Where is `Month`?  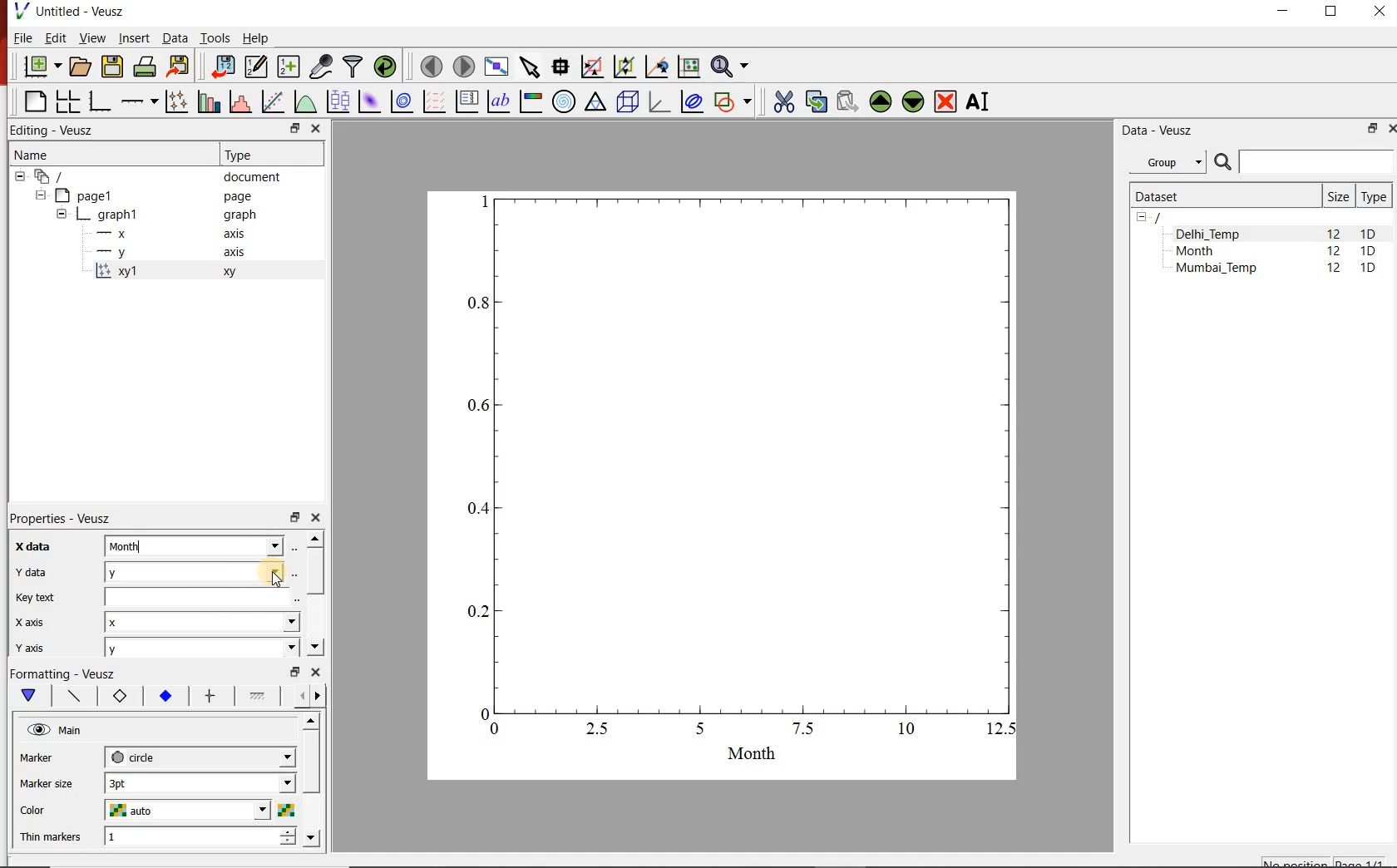 Month is located at coordinates (1207, 251).